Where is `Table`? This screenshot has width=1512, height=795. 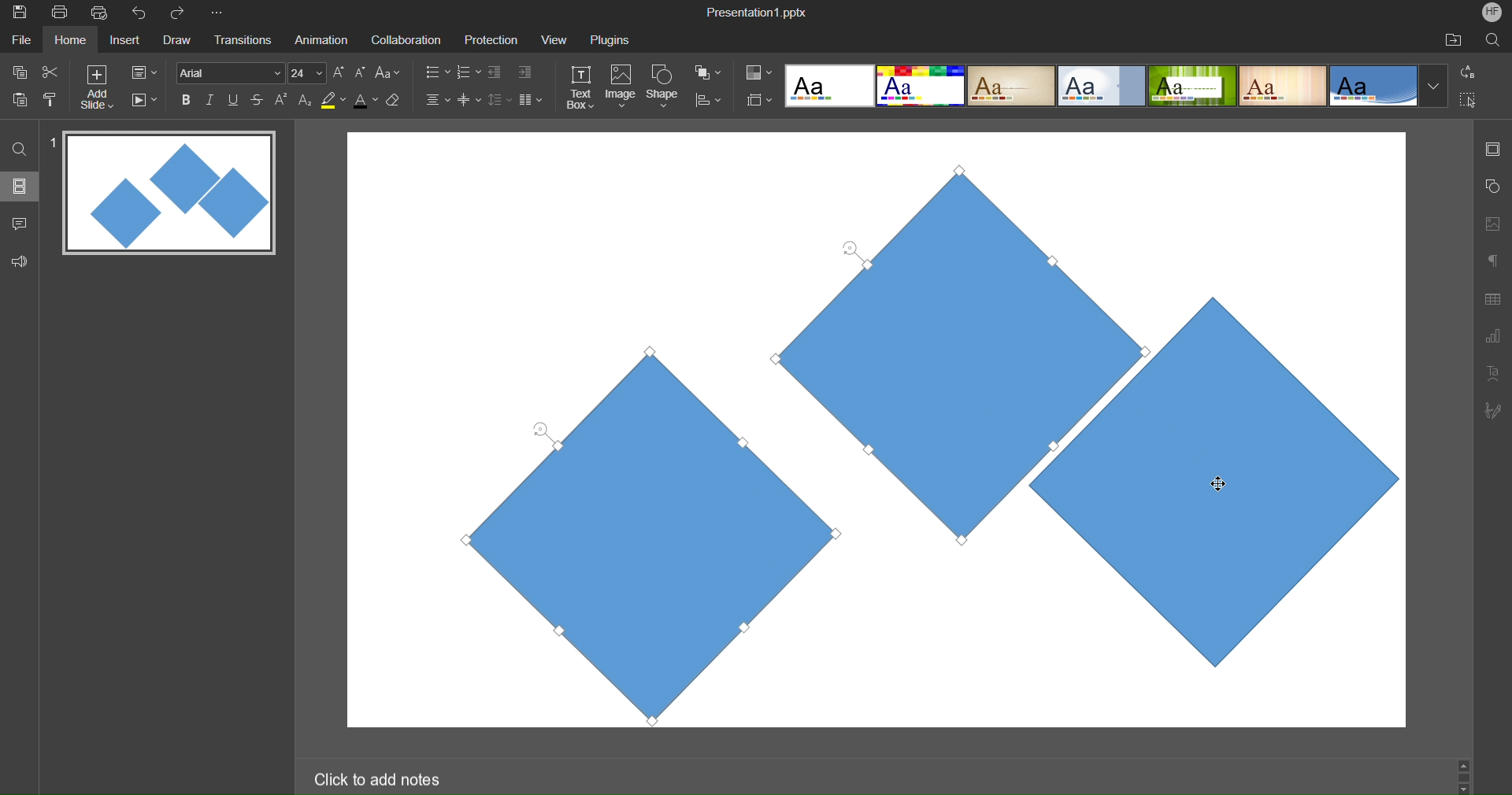 Table is located at coordinates (1493, 298).